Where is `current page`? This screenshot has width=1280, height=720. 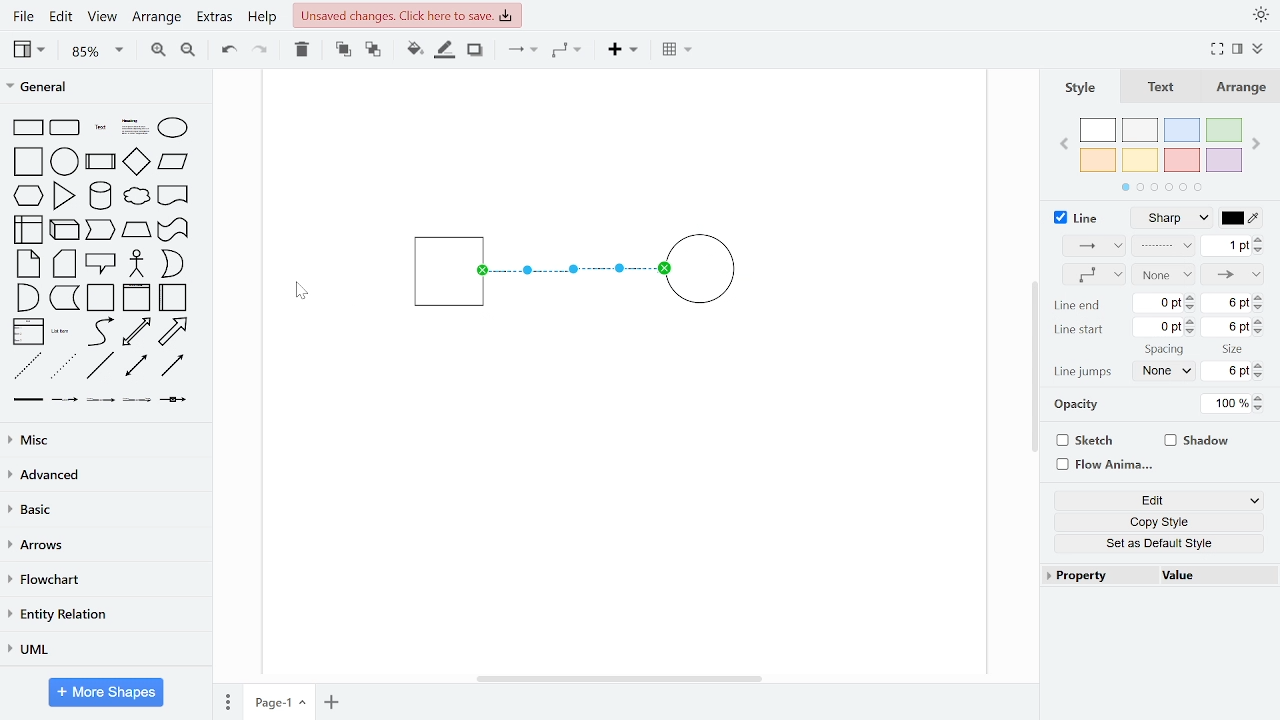
current page is located at coordinates (279, 701).